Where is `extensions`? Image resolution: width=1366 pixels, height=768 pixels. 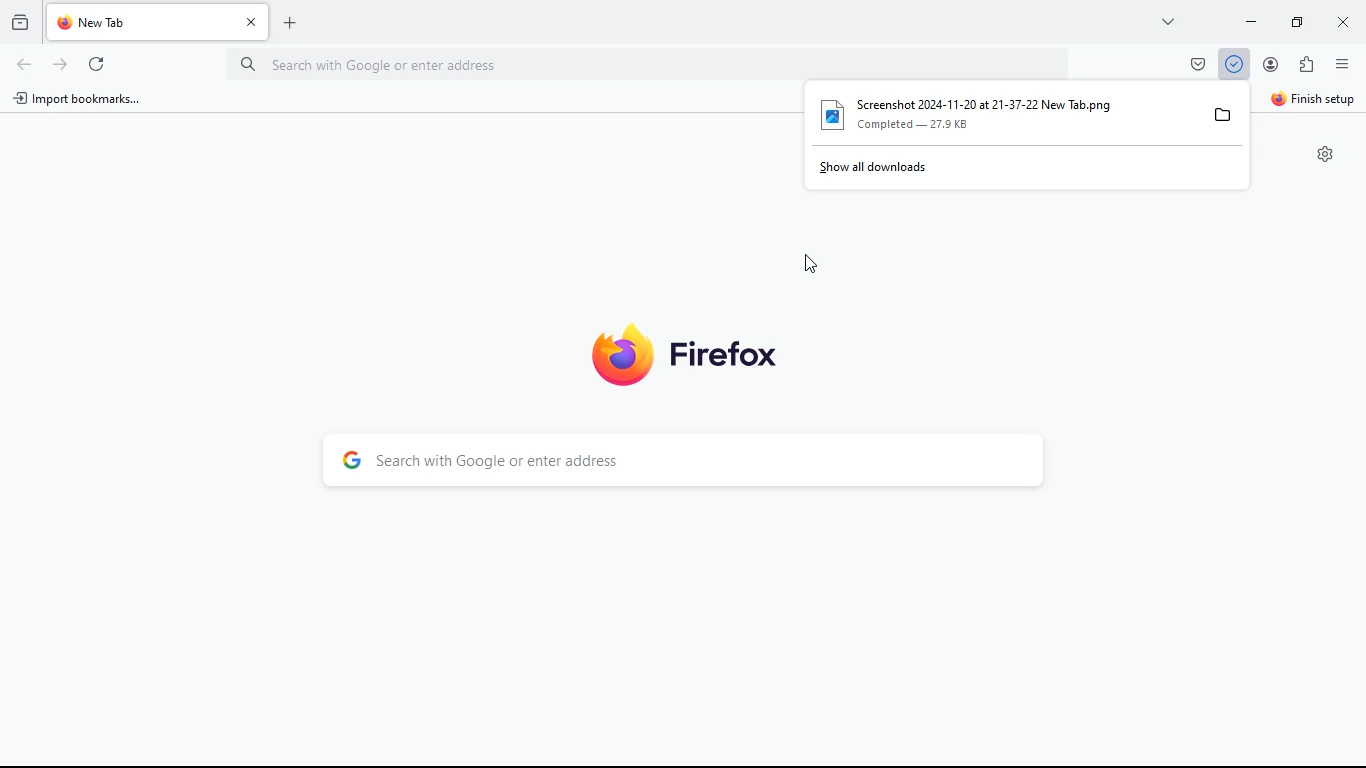
extensions is located at coordinates (1305, 65).